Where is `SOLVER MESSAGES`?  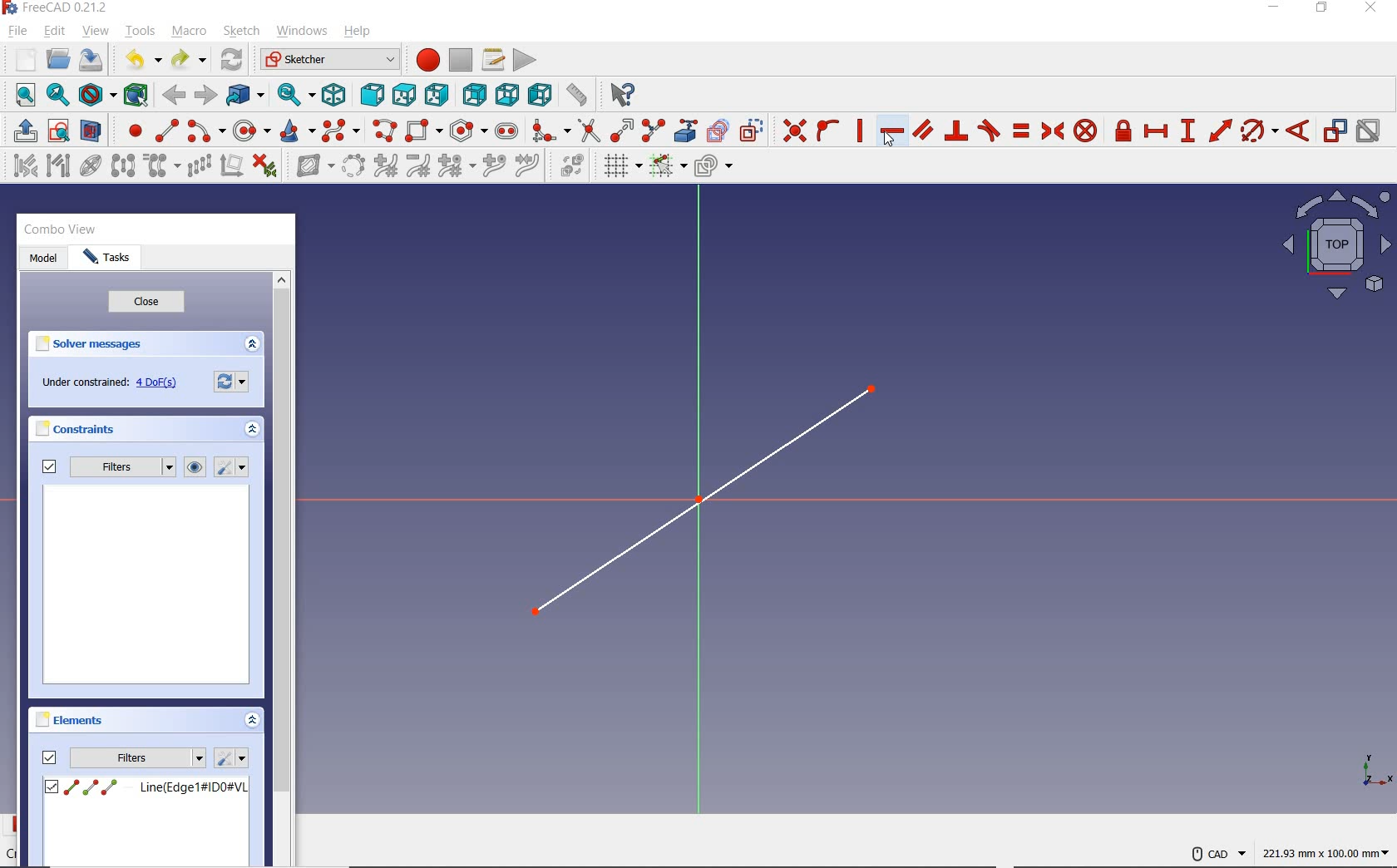 SOLVER MESSAGES is located at coordinates (99, 345).